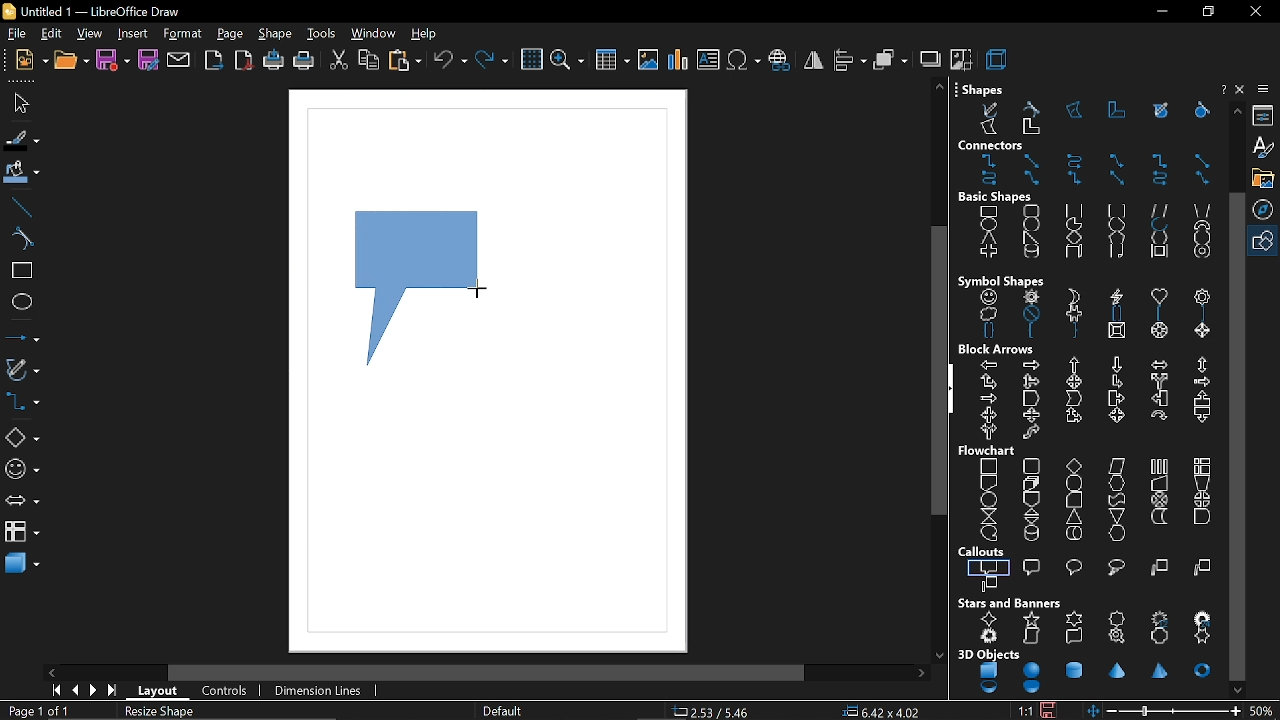 This screenshot has width=1280, height=720. I want to click on fill color, so click(22, 172).